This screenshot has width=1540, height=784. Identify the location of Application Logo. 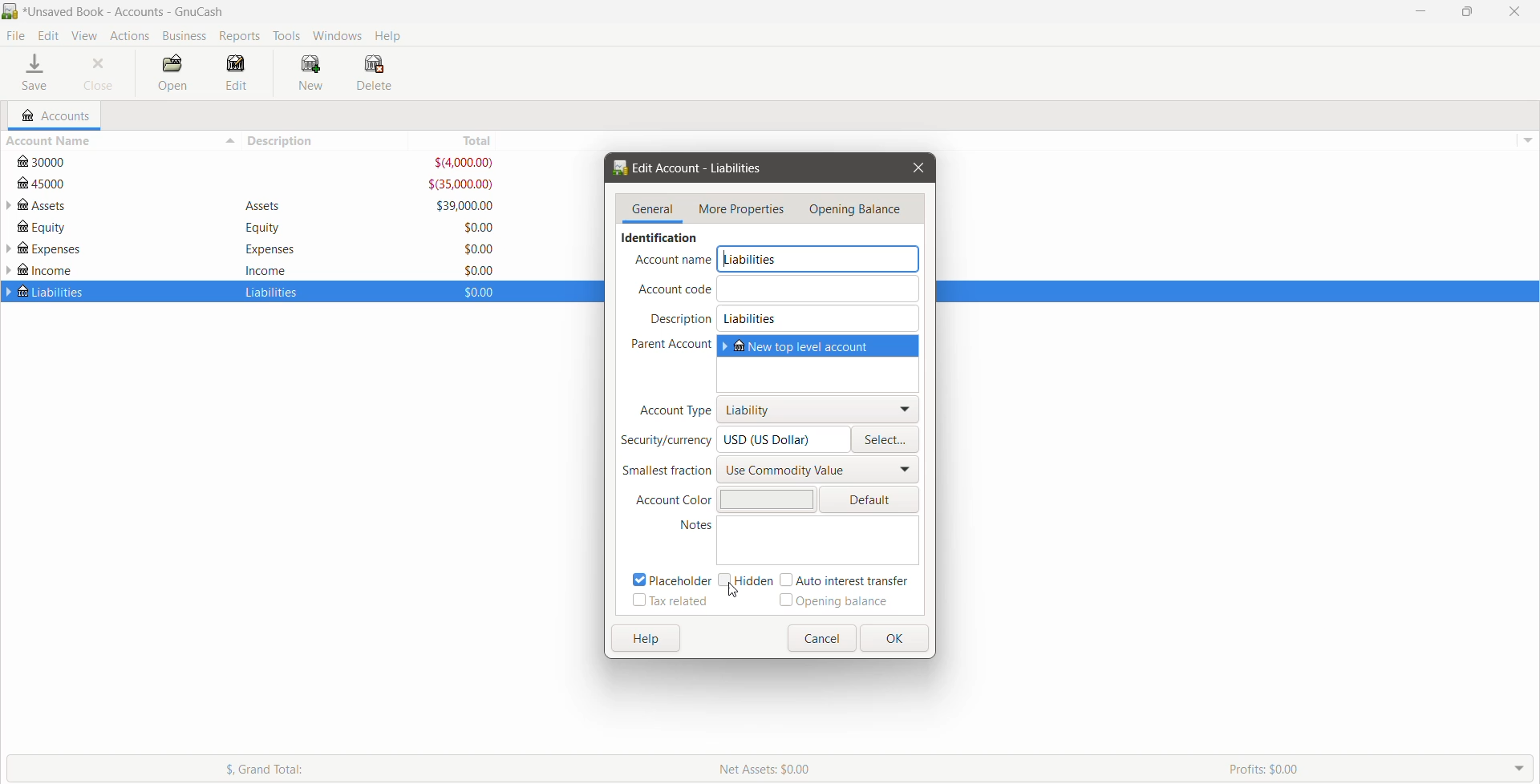
(10, 12).